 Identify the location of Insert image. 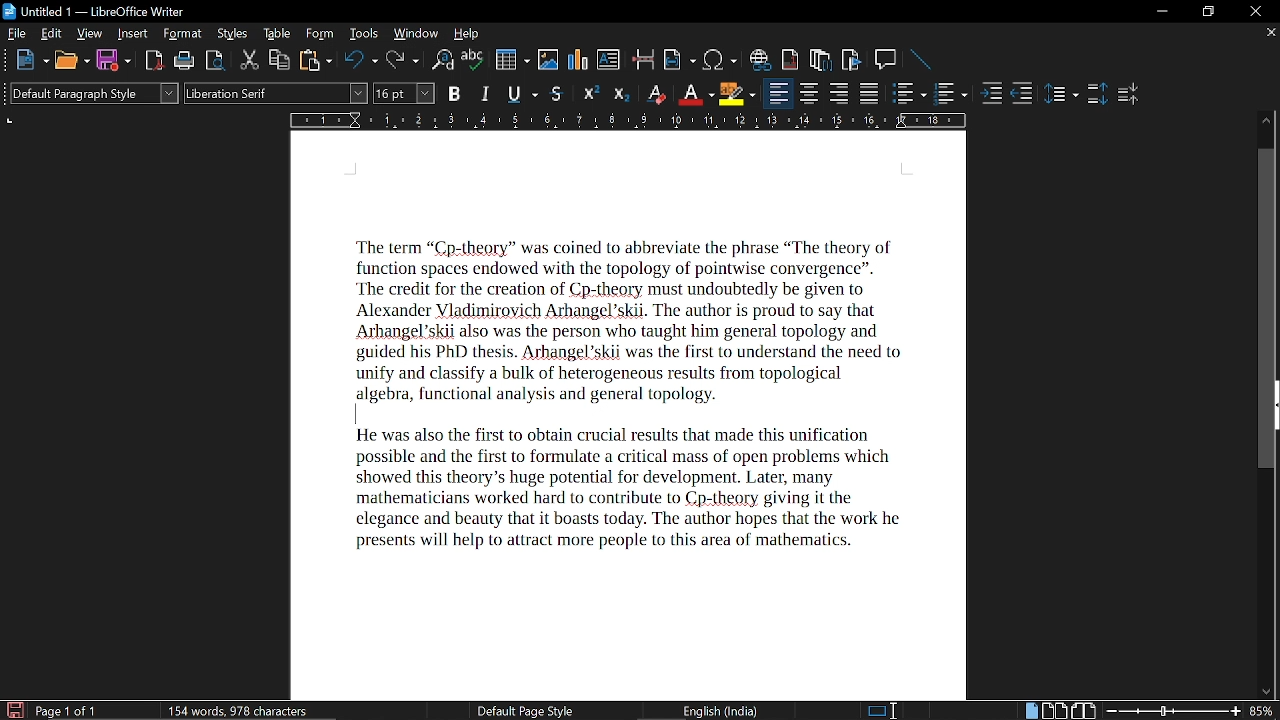
(550, 59).